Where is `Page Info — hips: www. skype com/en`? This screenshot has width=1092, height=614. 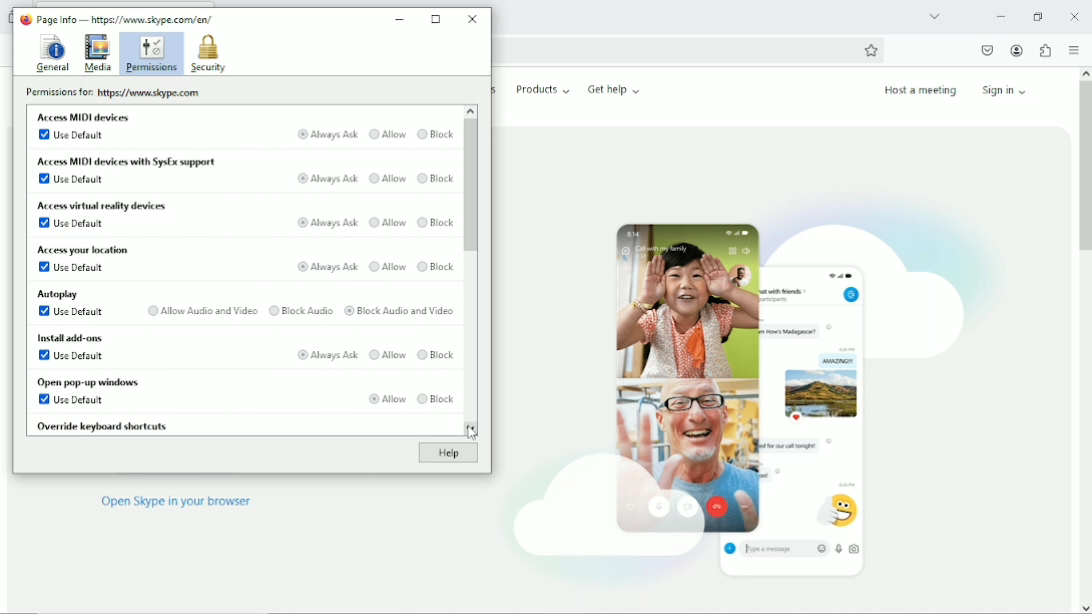
Page Info — hips: www. skype com/en is located at coordinates (122, 18).